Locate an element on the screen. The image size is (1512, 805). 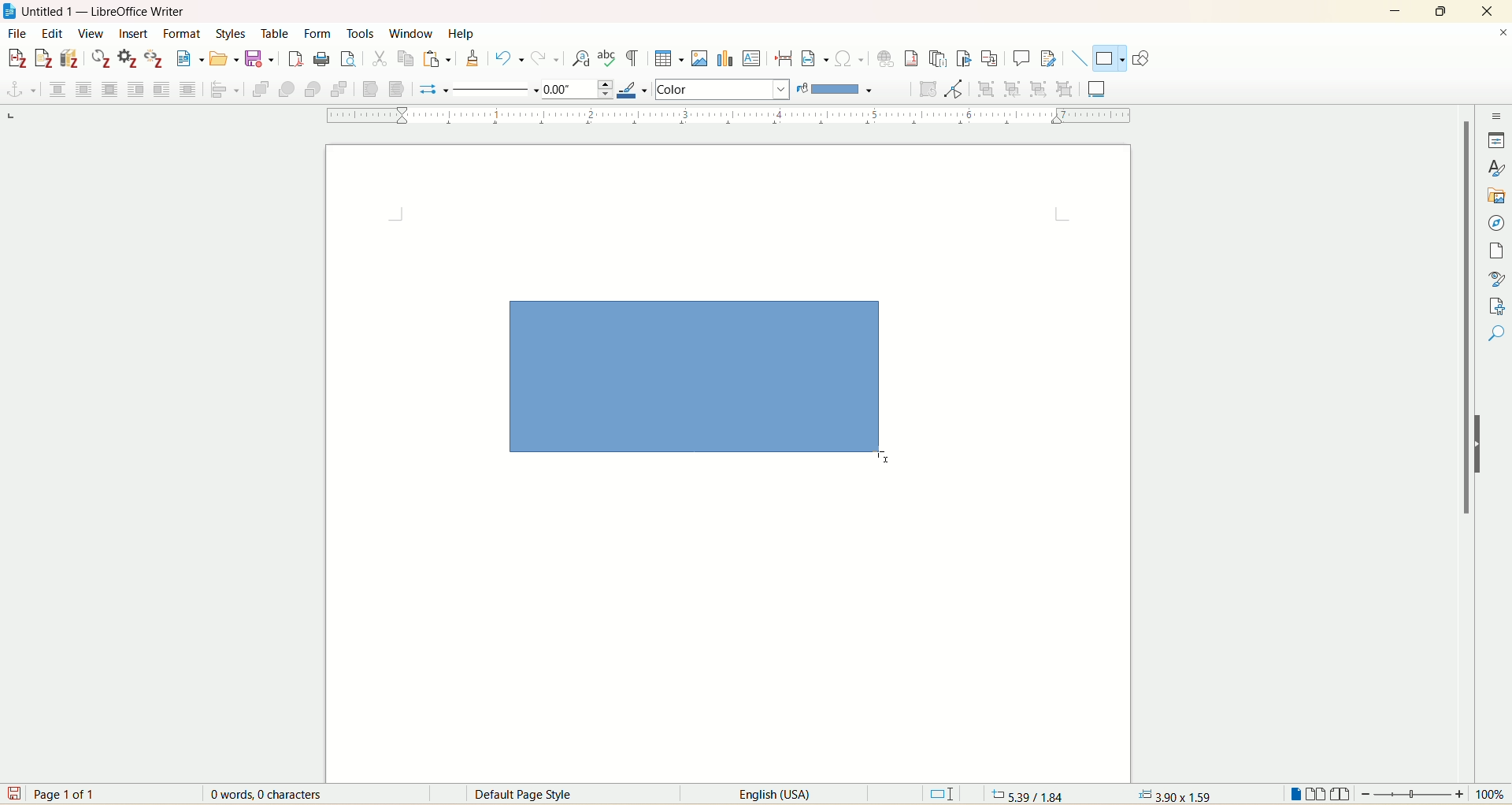
tools is located at coordinates (362, 32).